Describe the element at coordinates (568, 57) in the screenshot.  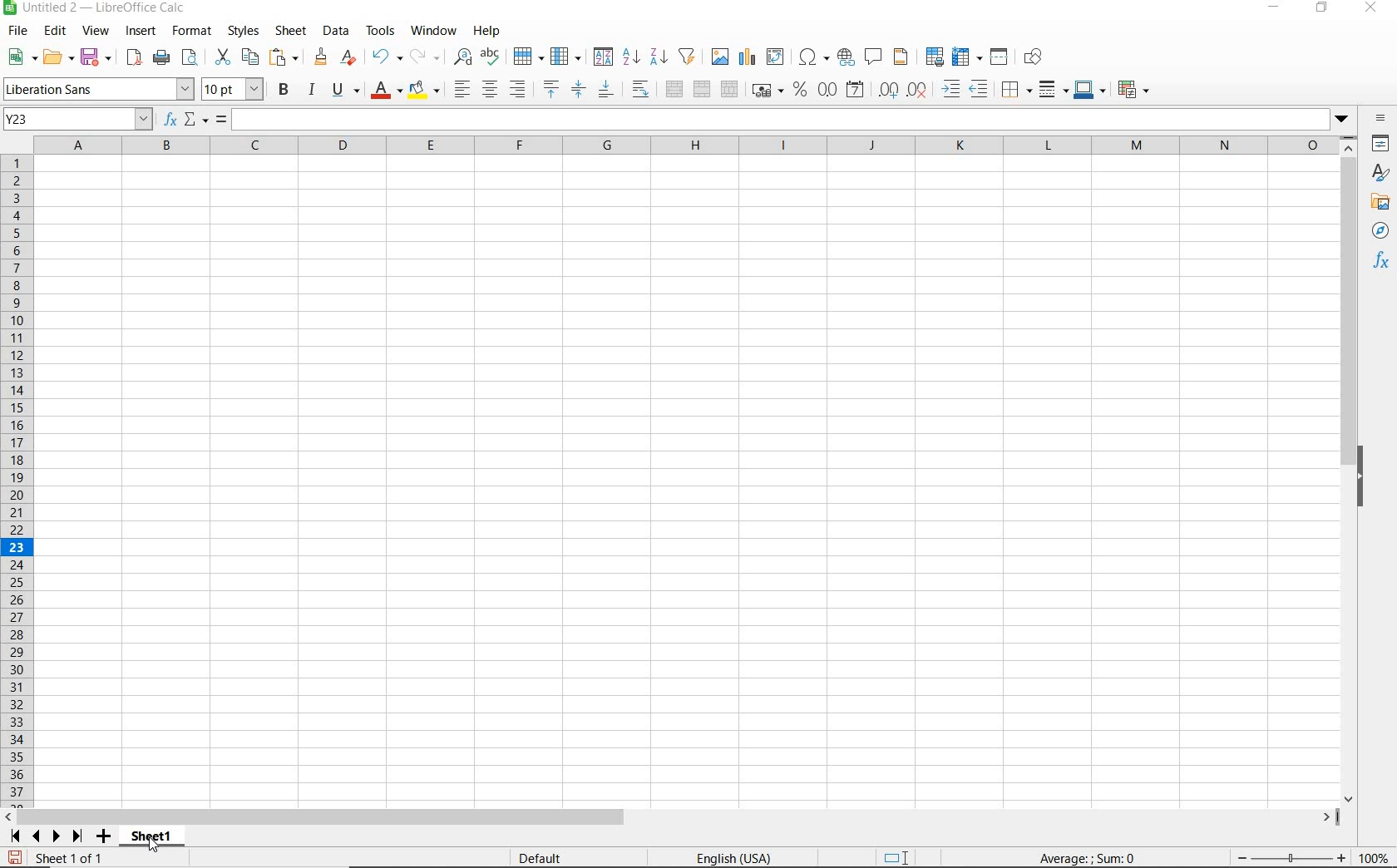
I see `COLUMN` at that location.